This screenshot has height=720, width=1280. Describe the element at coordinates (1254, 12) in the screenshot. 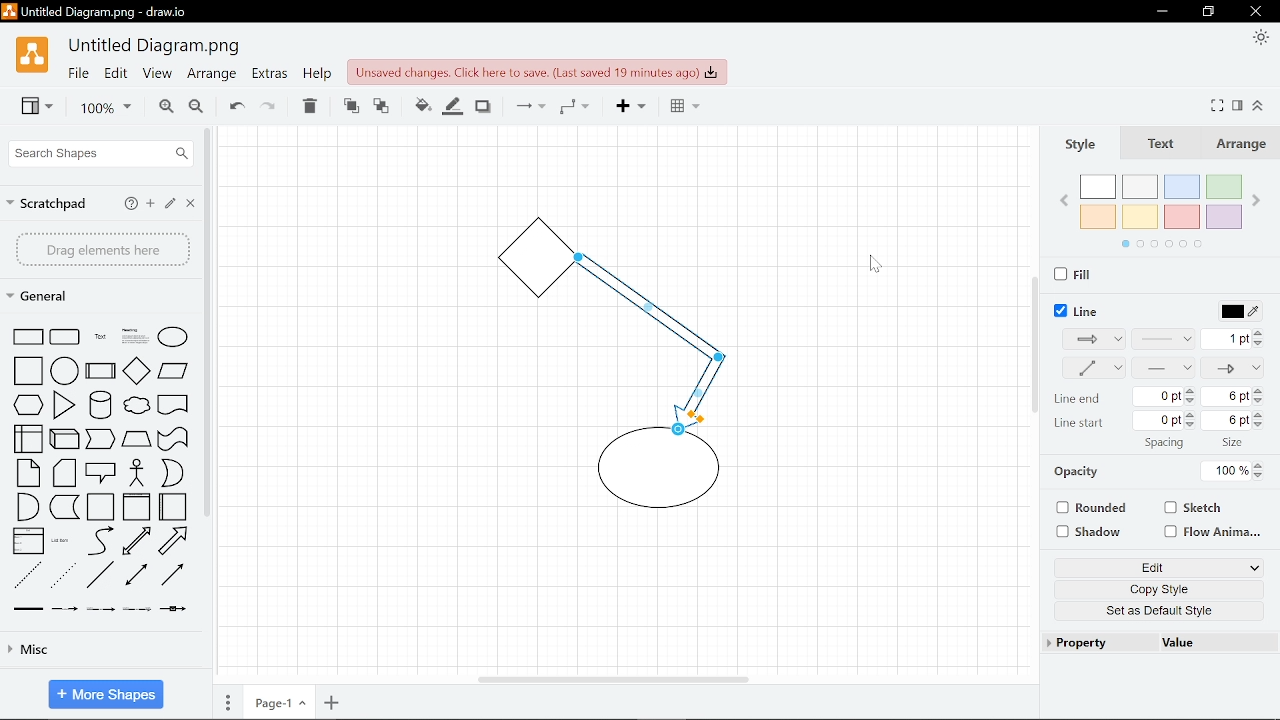

I see `close` at that location.